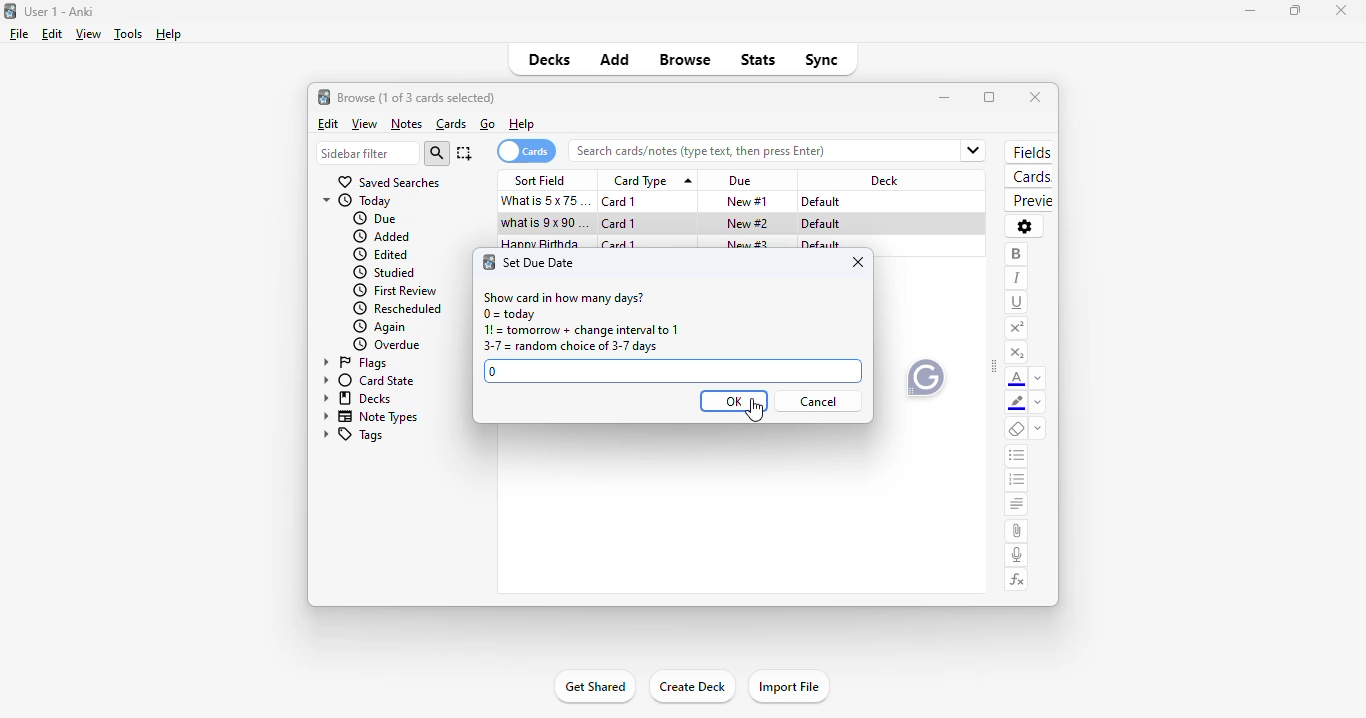 This screenshot has height=718, width=1366. I want to click on what is 9x90=?, so click(544, 222).